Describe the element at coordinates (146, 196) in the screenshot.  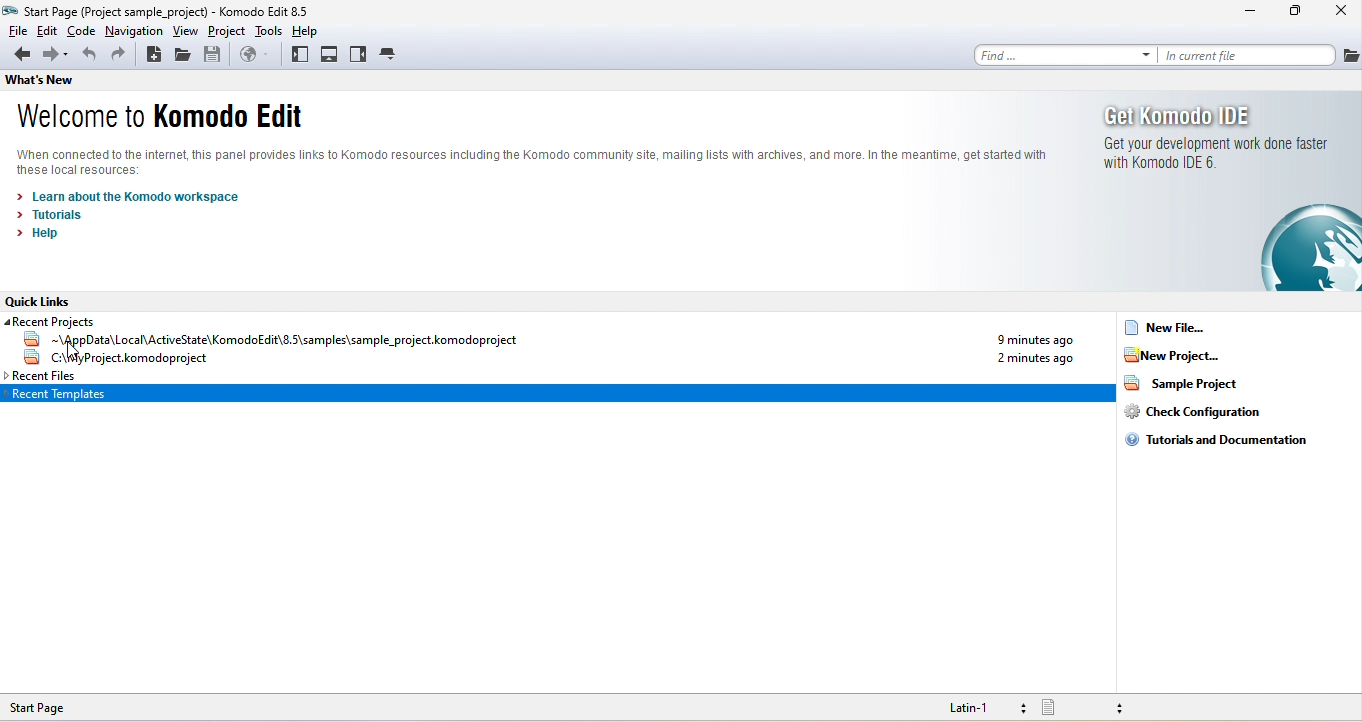
I see `learn about the komodo workspace` at that location.